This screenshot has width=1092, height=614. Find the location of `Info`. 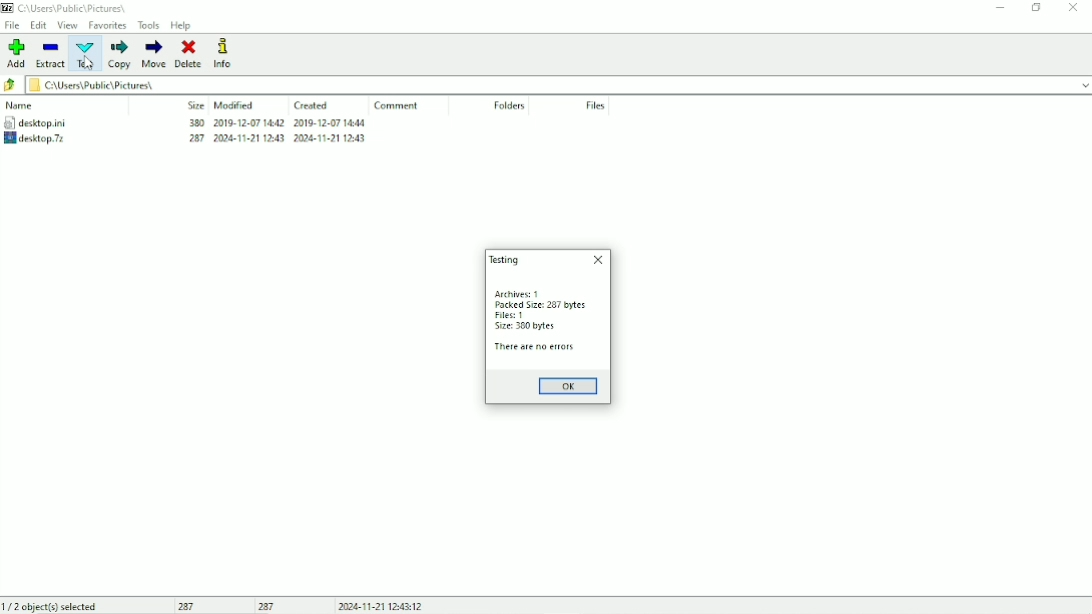

Info is located at coordinates (222, 53).